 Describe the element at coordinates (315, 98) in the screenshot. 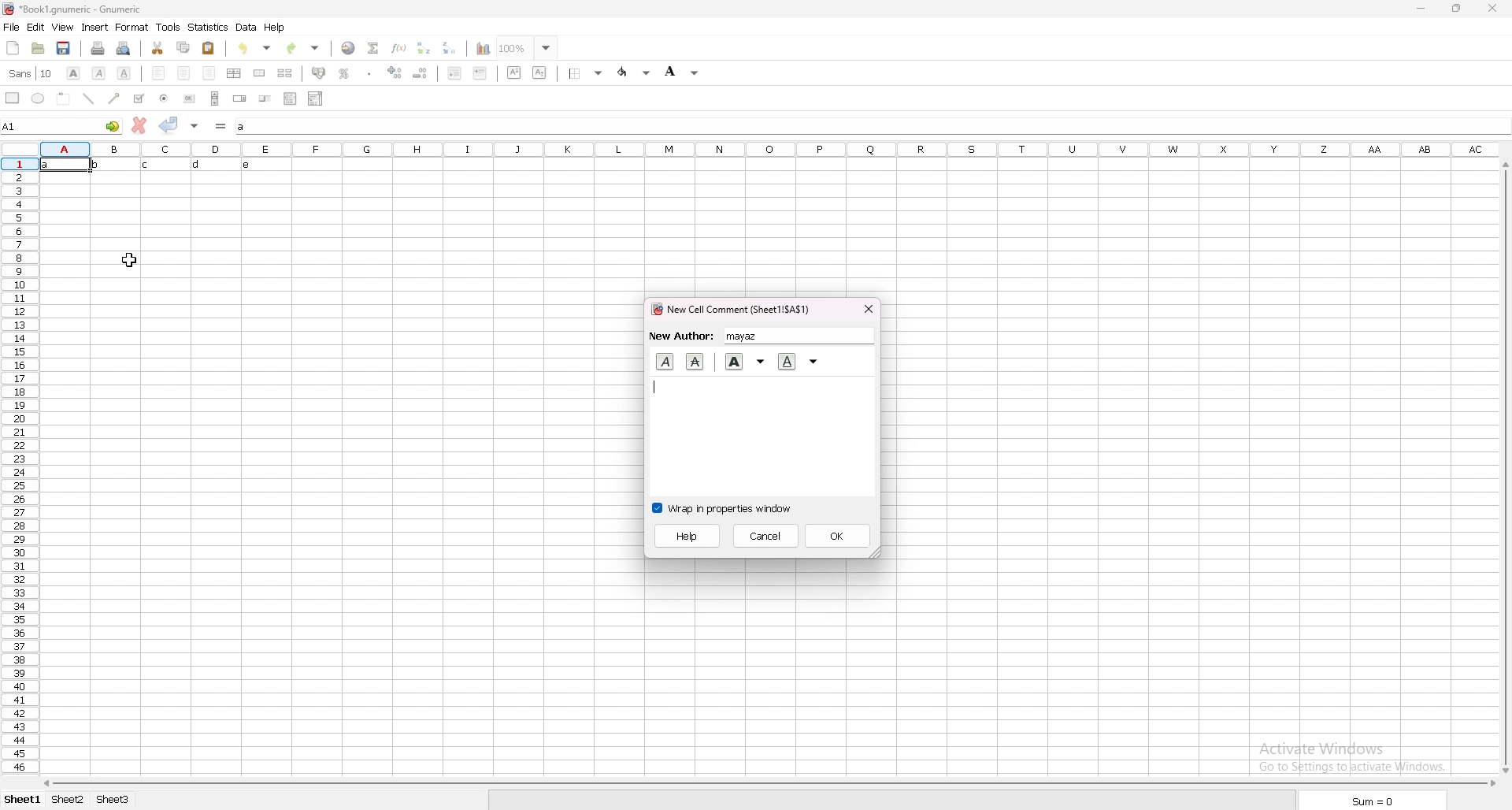

I see `combo box` at that location.